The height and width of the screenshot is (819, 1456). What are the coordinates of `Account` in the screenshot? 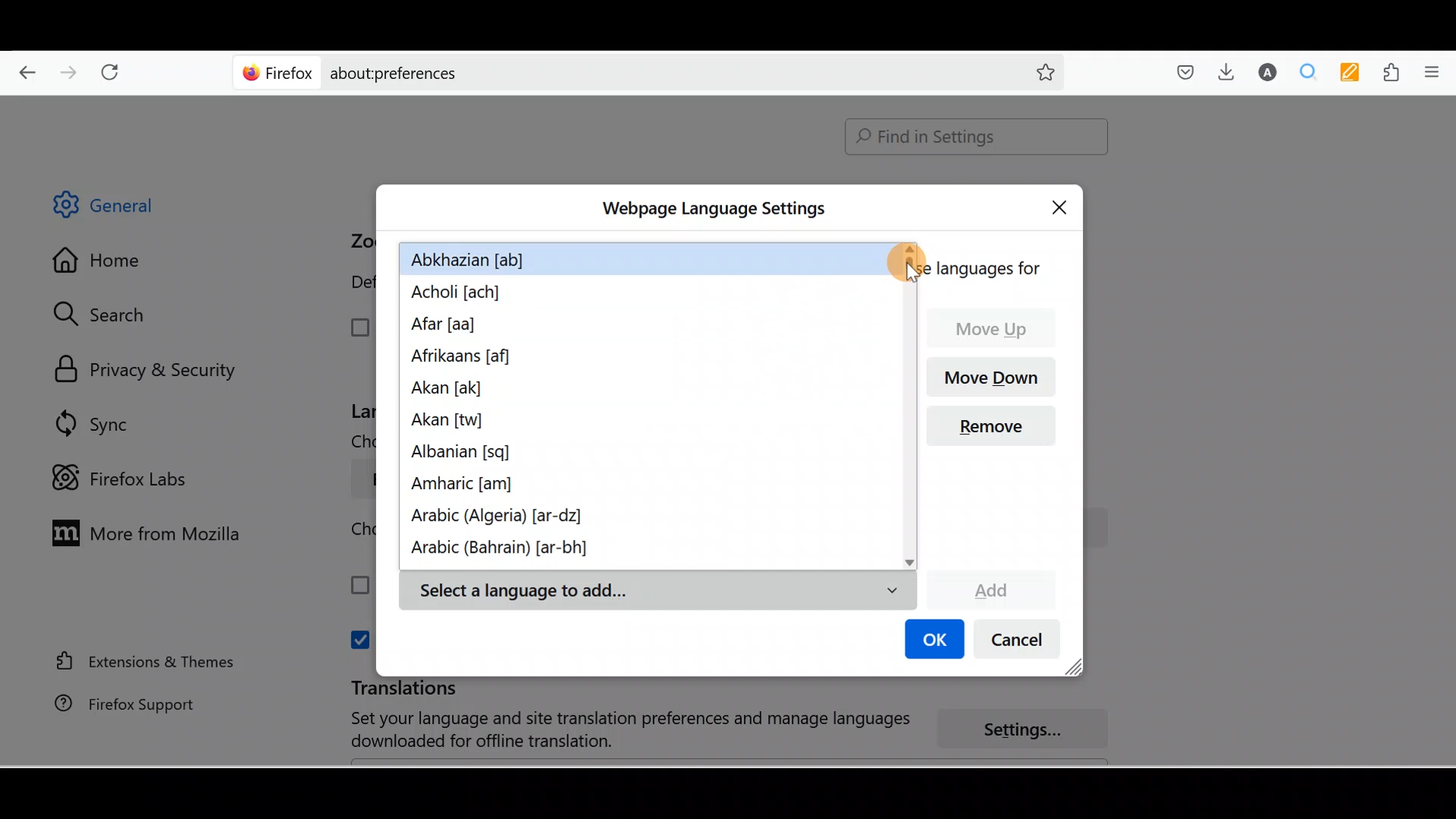 It's located at (1264, 72).